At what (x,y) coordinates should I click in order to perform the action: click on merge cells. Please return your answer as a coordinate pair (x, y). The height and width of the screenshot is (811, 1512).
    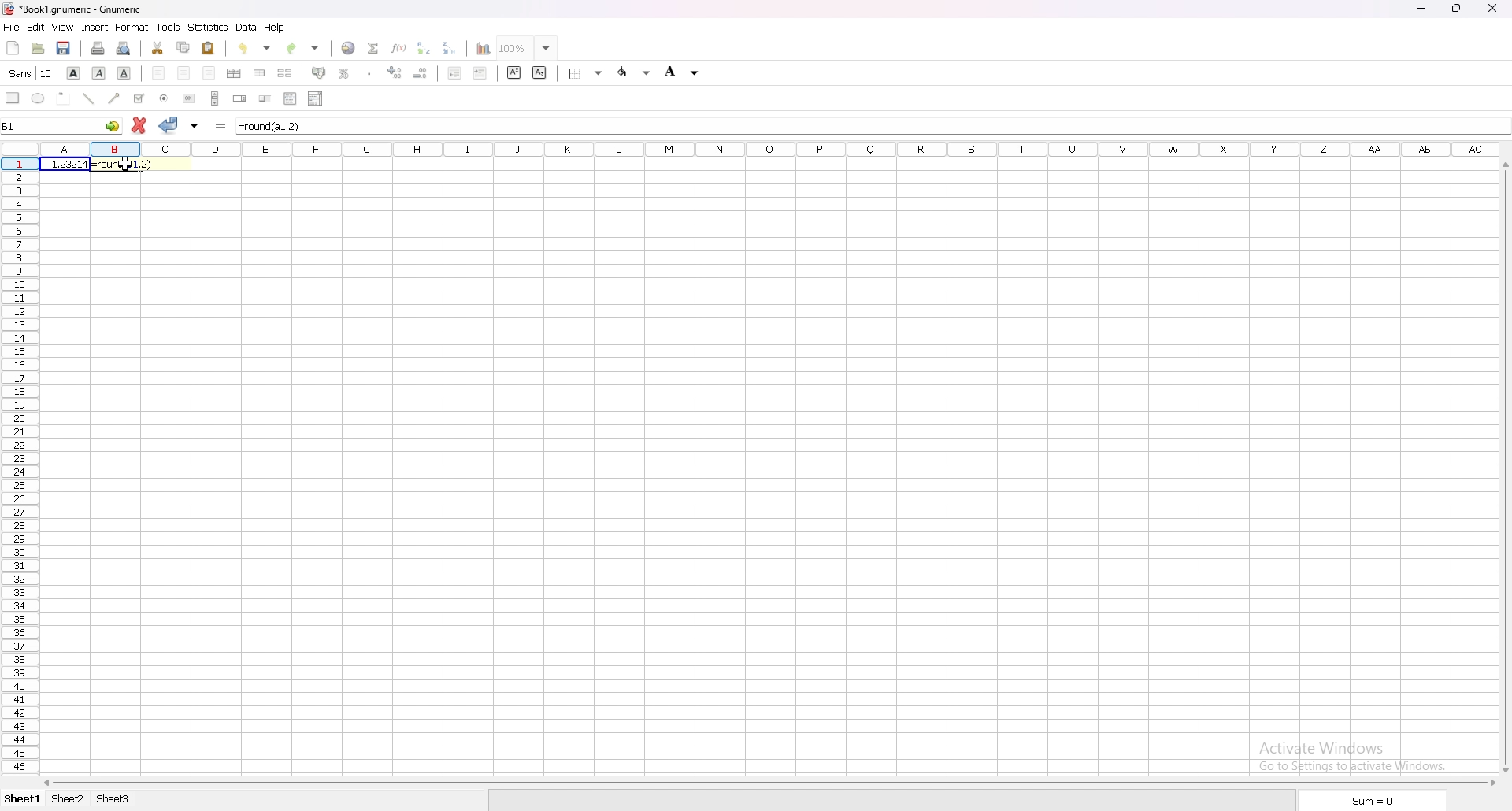
    Looking at the image, I should click on (259, 72).